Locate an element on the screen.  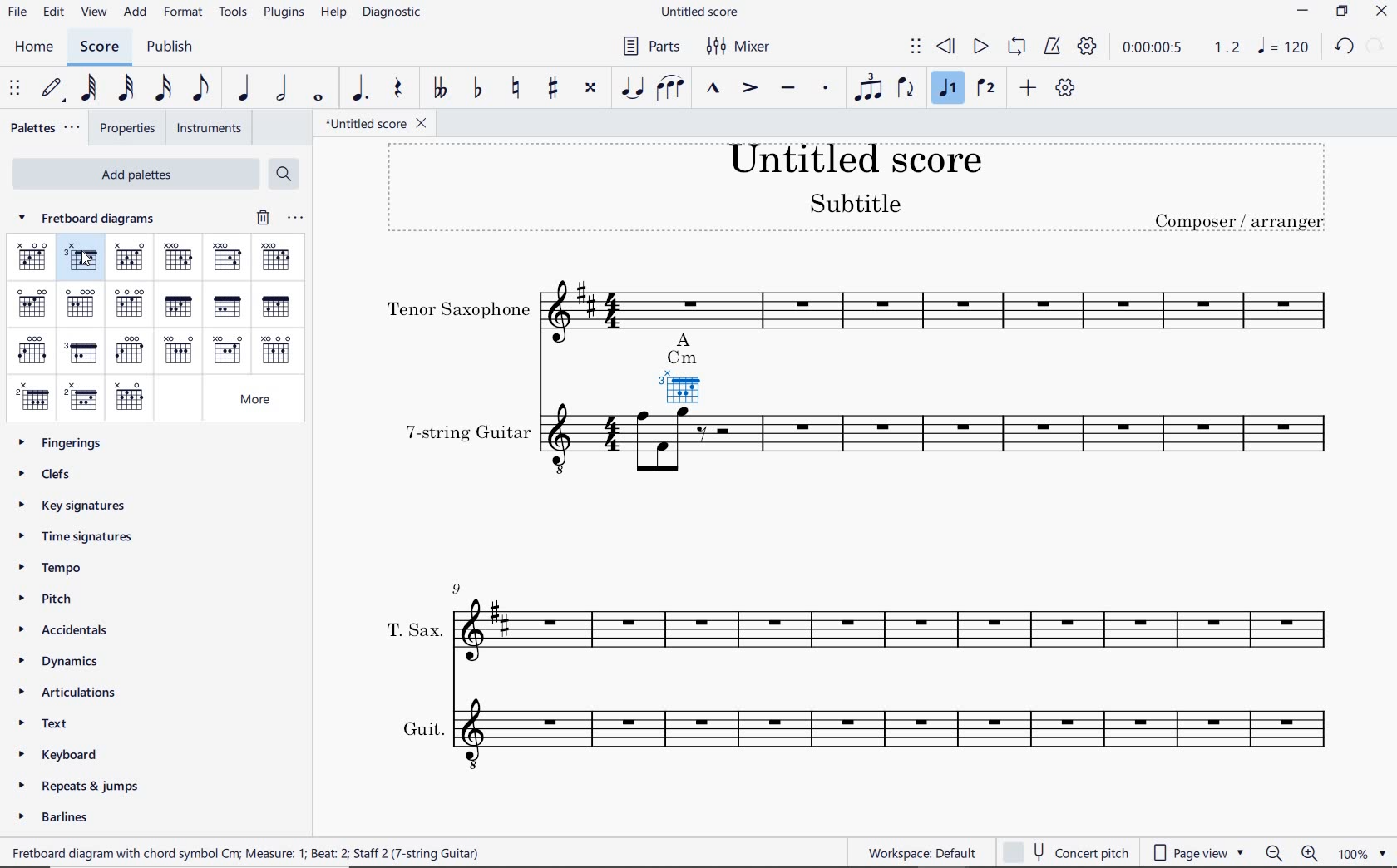
MIXER is located at coordinates (740, 47).